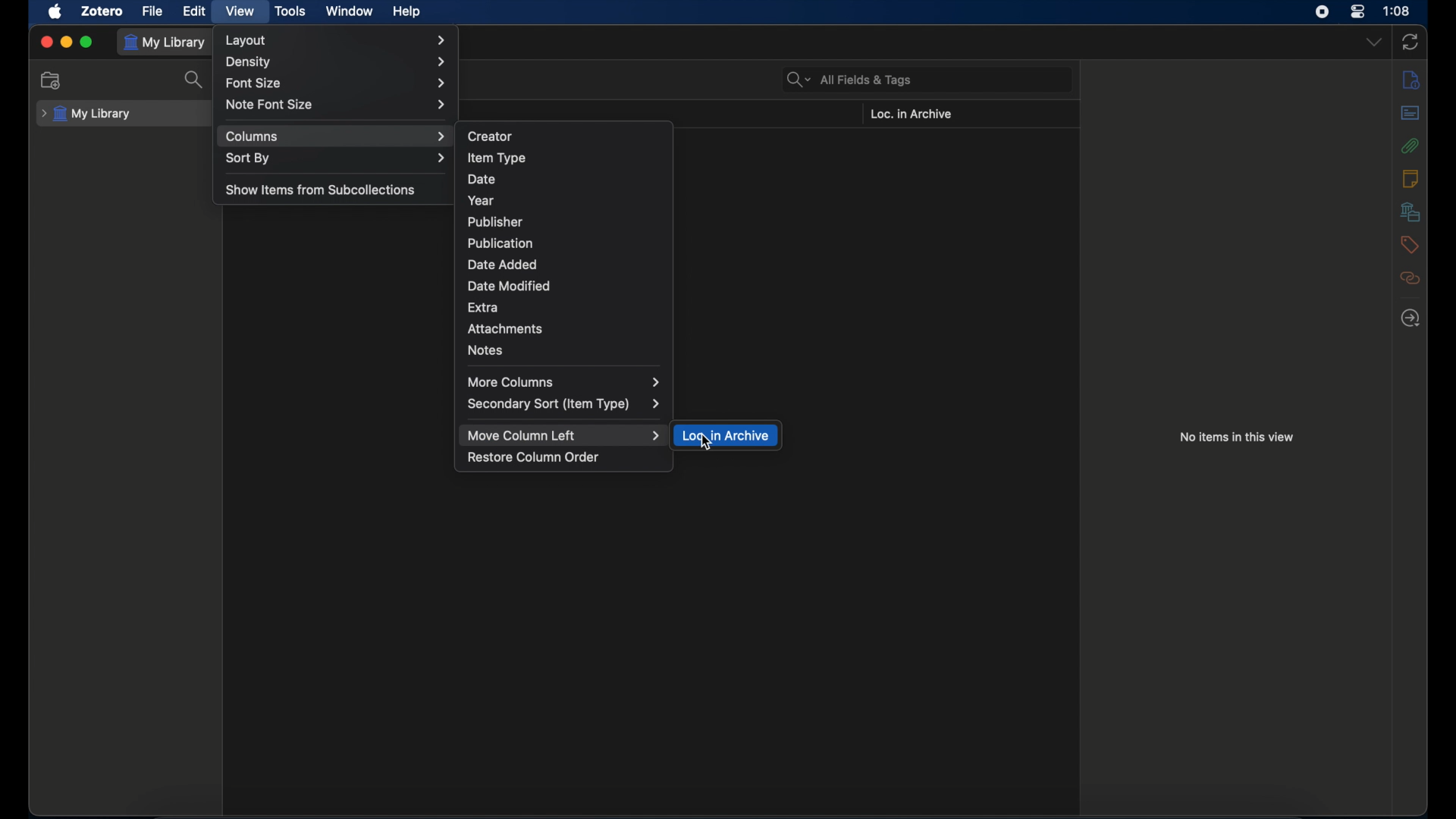  I want to click on my library, so click(167, 42).